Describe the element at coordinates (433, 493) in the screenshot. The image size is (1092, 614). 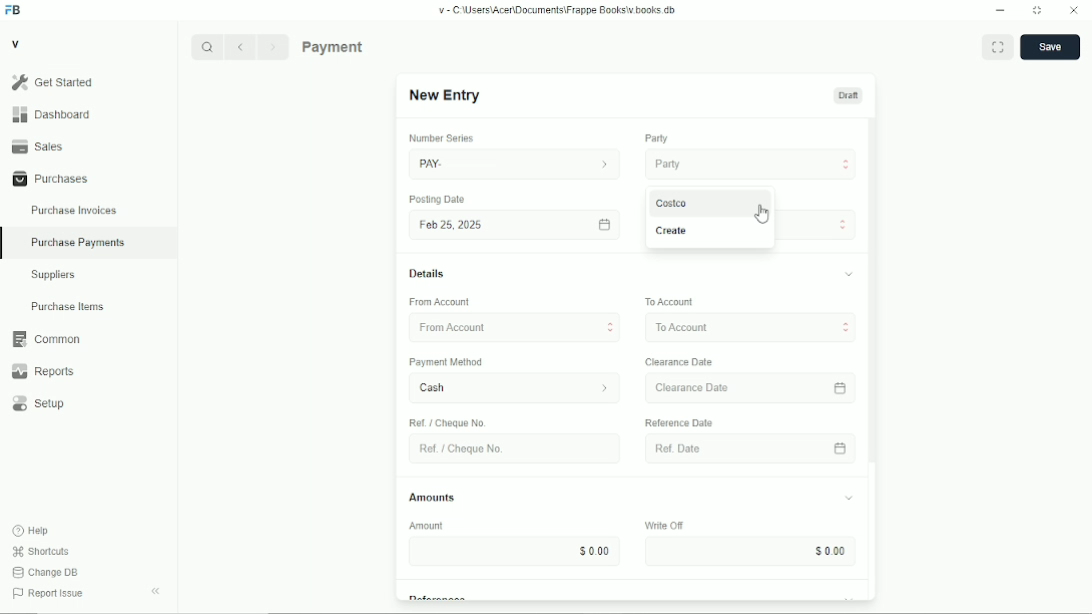
I see `Amounts` at that location.